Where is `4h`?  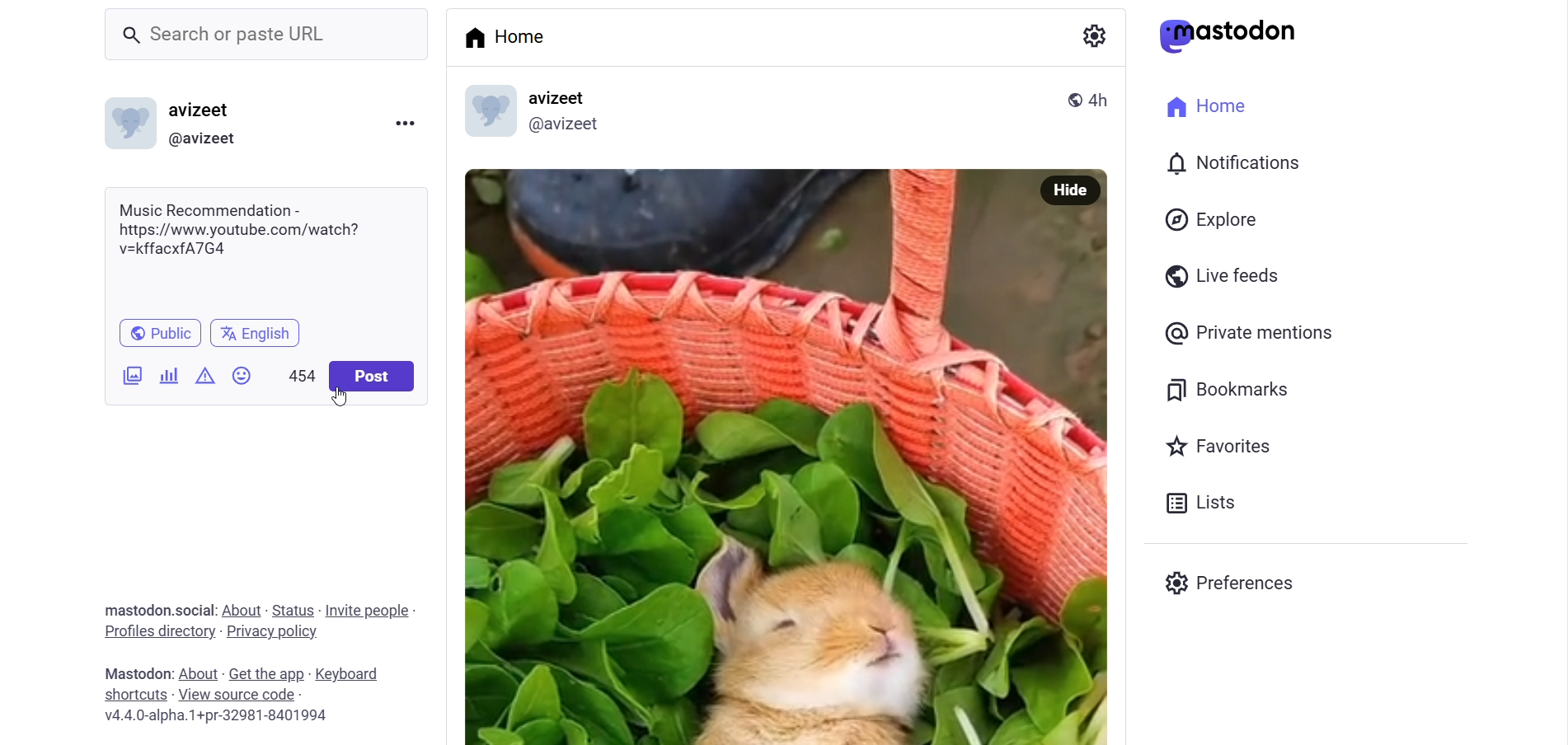
4h is located at coordinates (1100, 100).